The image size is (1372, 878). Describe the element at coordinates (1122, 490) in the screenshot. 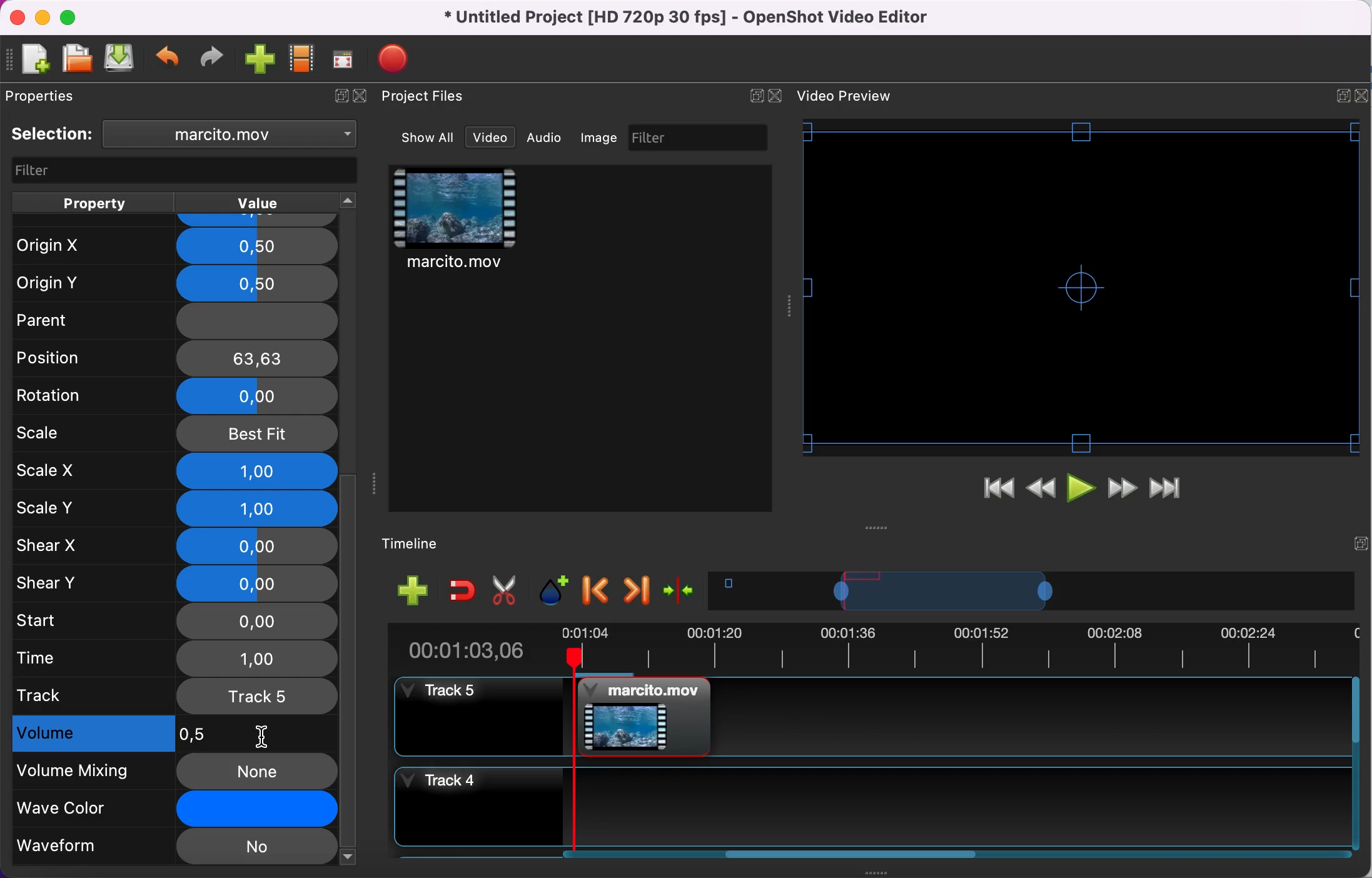

I see `fast forward` at that location.